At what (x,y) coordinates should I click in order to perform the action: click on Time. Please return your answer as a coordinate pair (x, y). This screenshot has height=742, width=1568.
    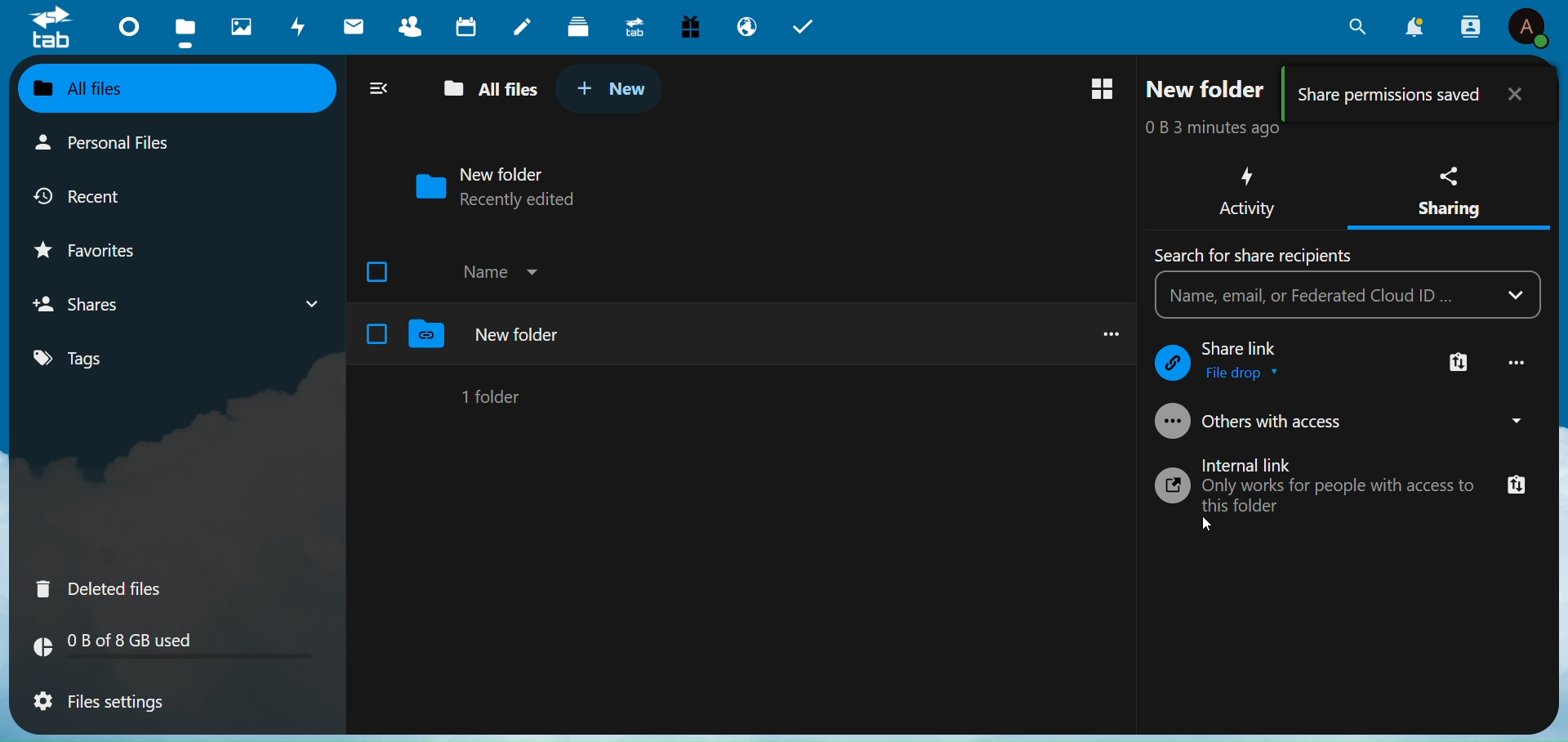
    Looking at the image, I should click on (1219, 129).